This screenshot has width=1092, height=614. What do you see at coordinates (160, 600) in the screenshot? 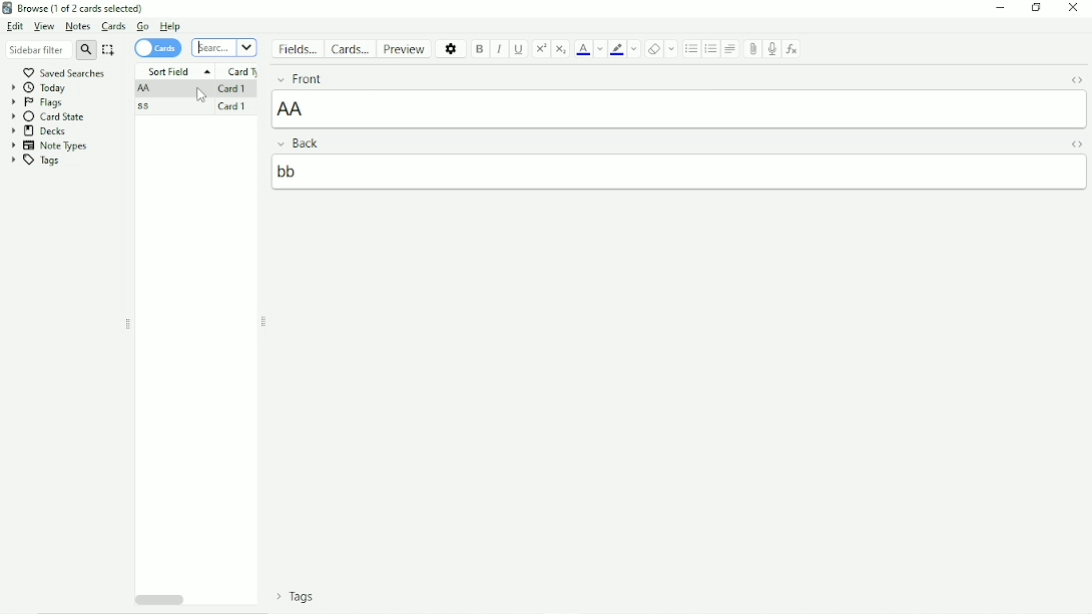
I see `Horizontal scrollbar` at bounding box center [160, 600].